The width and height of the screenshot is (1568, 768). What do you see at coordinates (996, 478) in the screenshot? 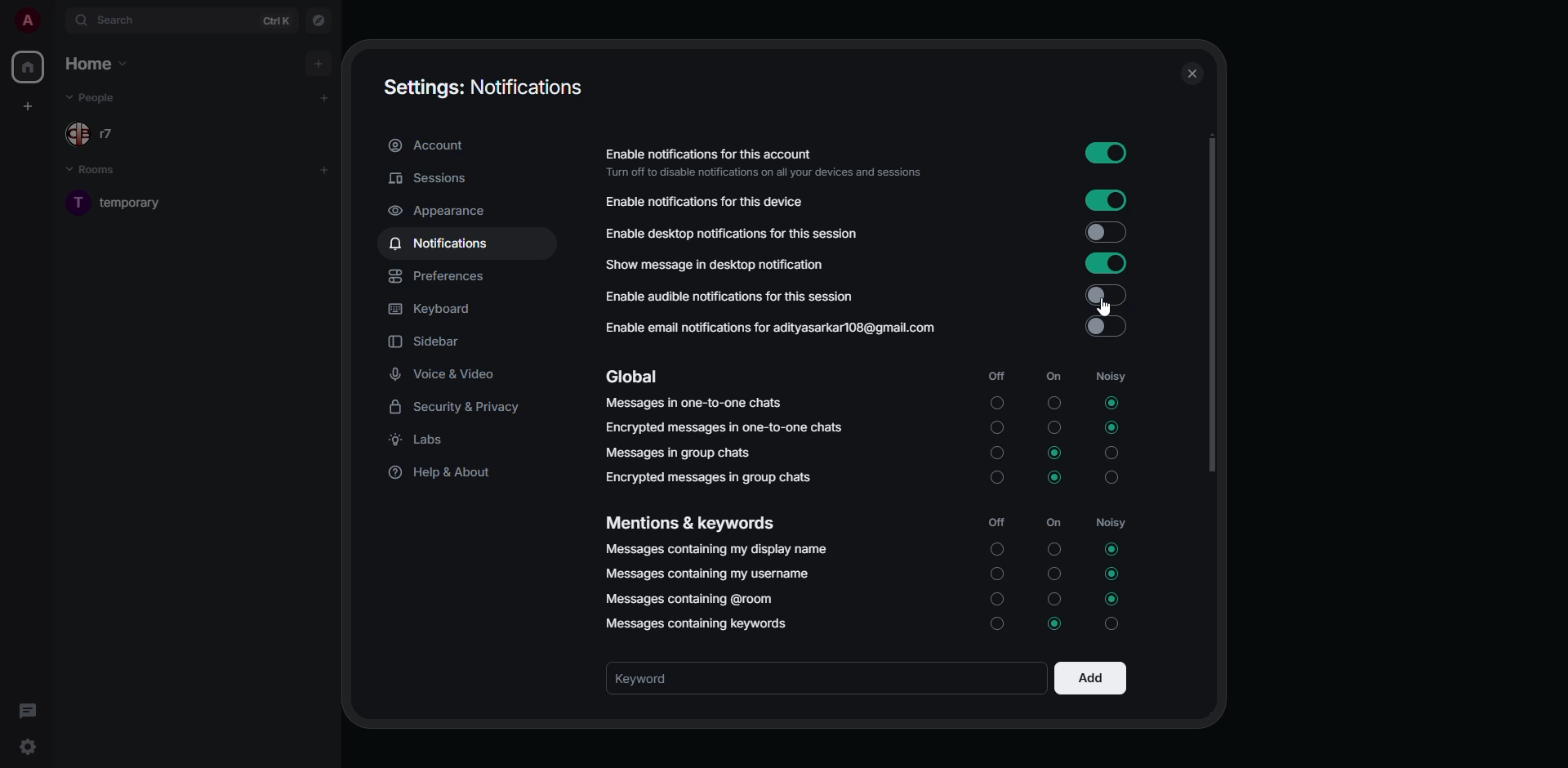
I see `Off Unselected` at bounding box center [996, 478].